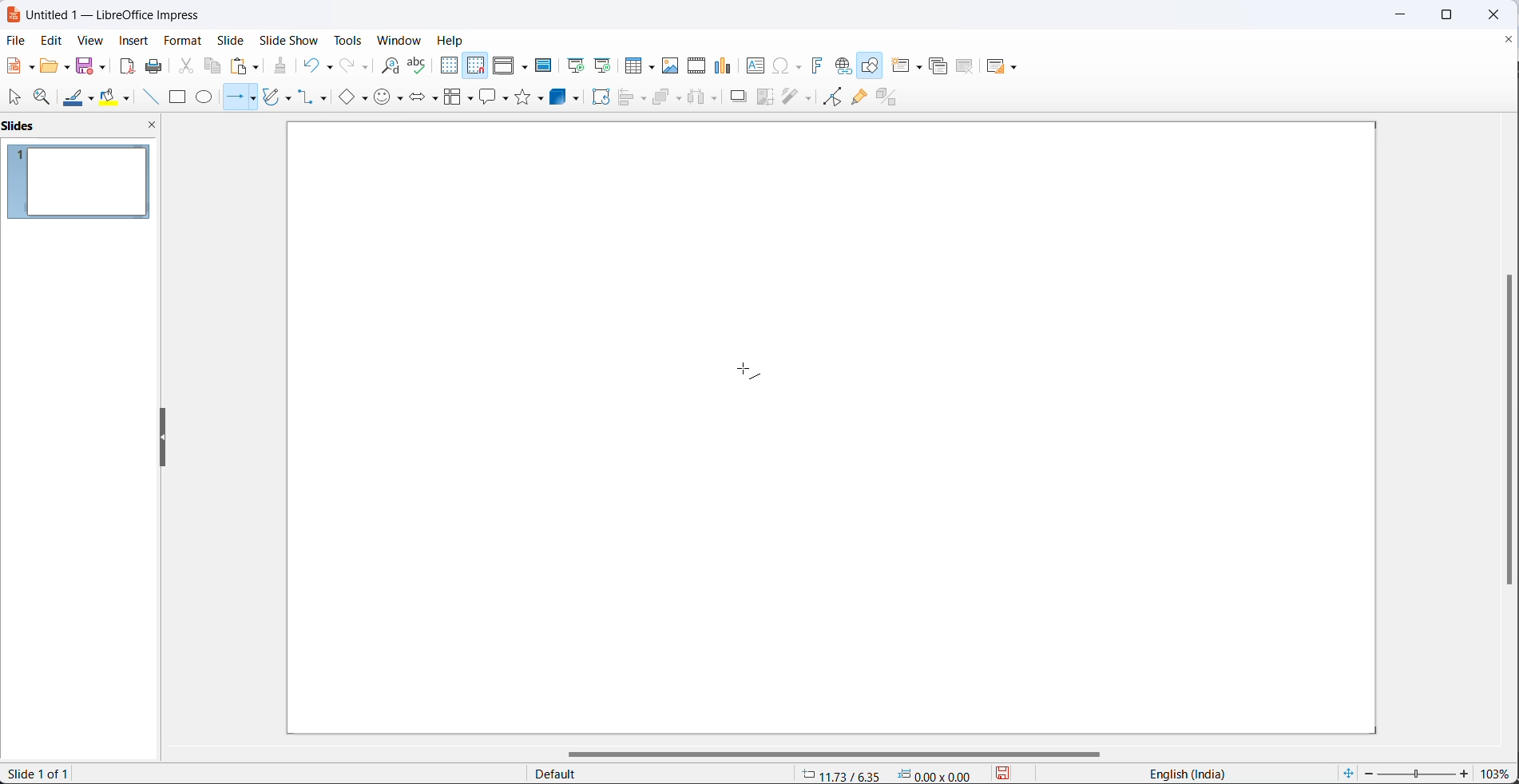 The image size is (1519, 784). I want to click on duplicate slide, so click(936, 68).